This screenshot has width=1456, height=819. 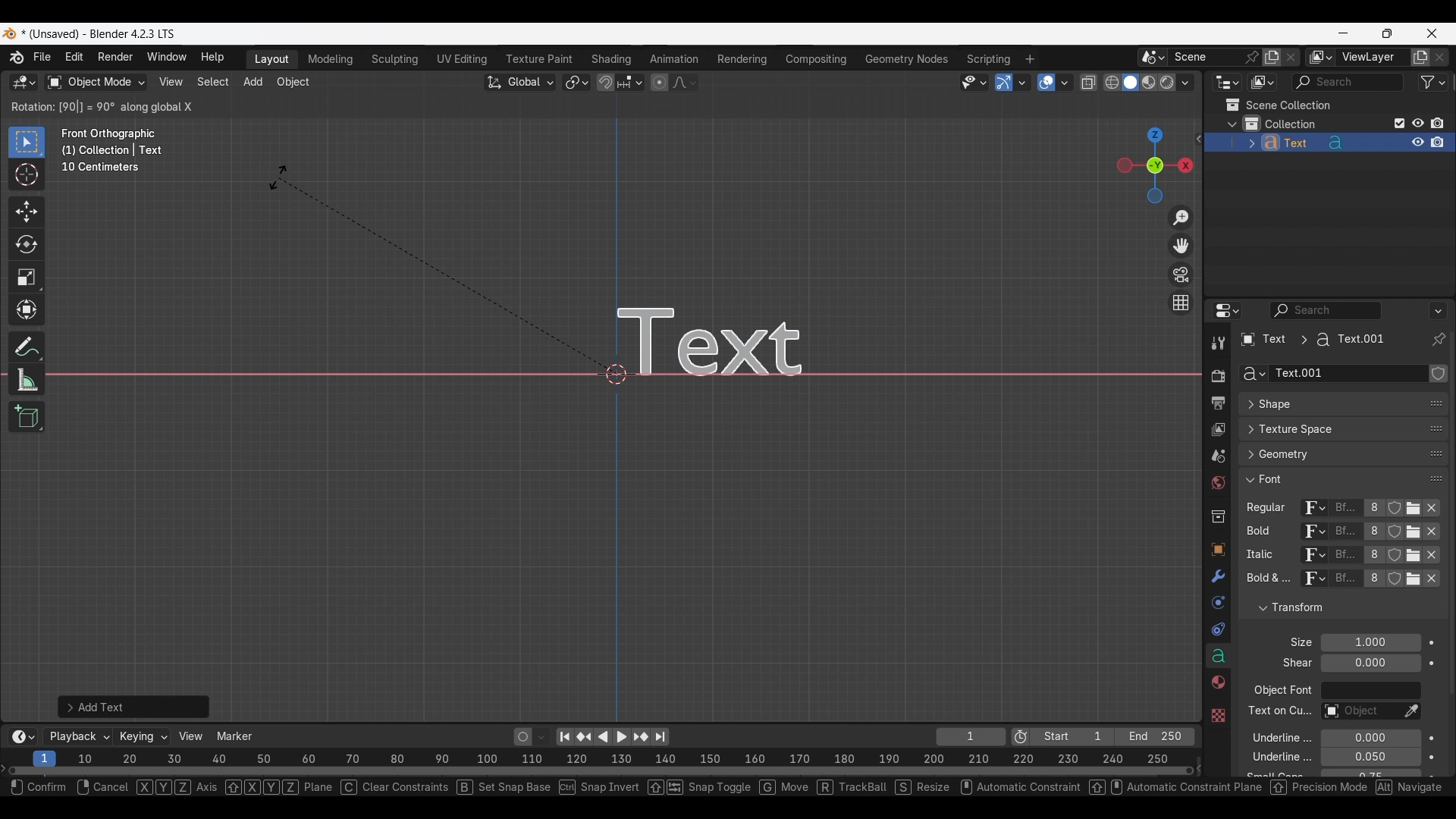 I want to click on Editor type, so click(x=1227, y=82).